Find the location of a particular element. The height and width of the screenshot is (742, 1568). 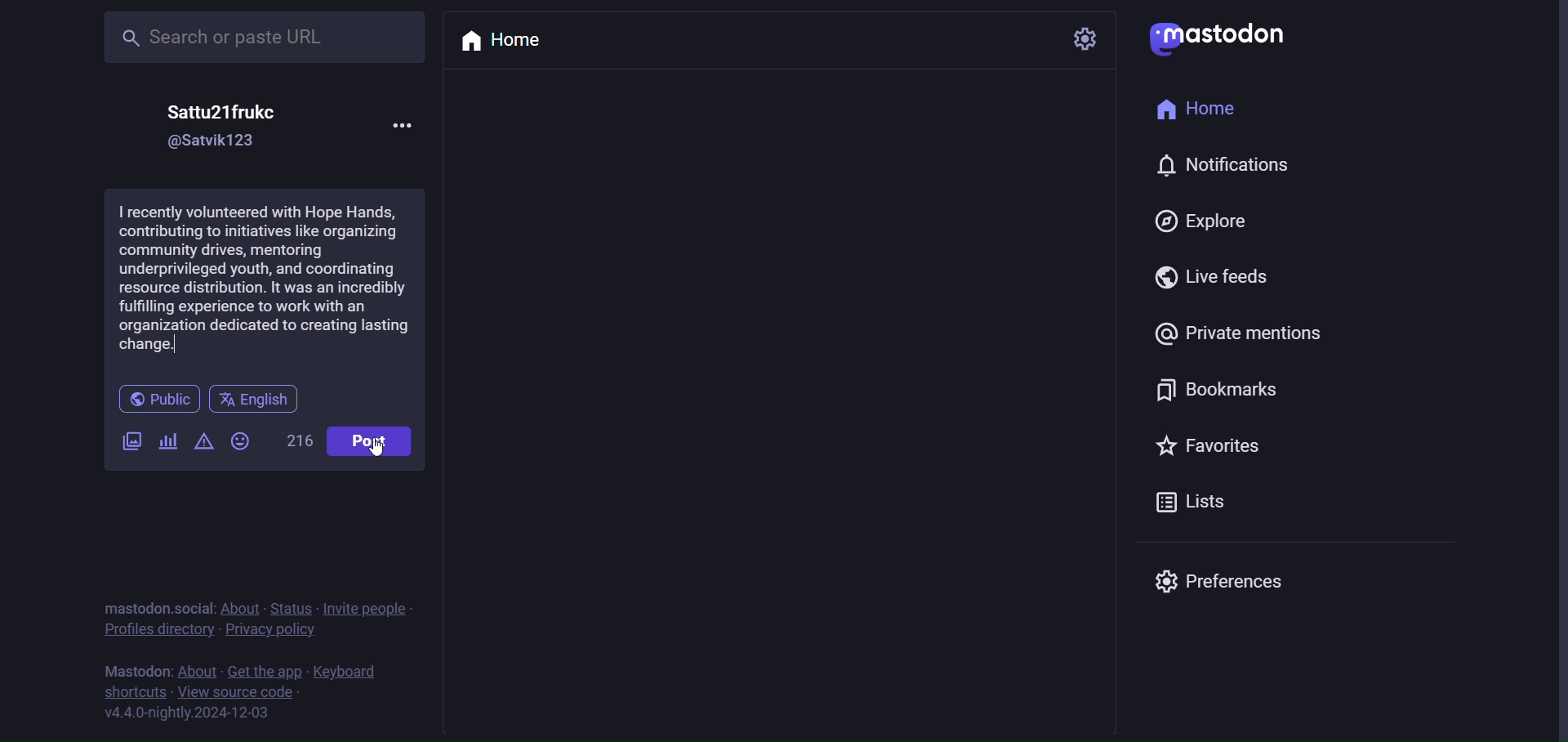

volunteering activity is located at coordinates (265, 278).